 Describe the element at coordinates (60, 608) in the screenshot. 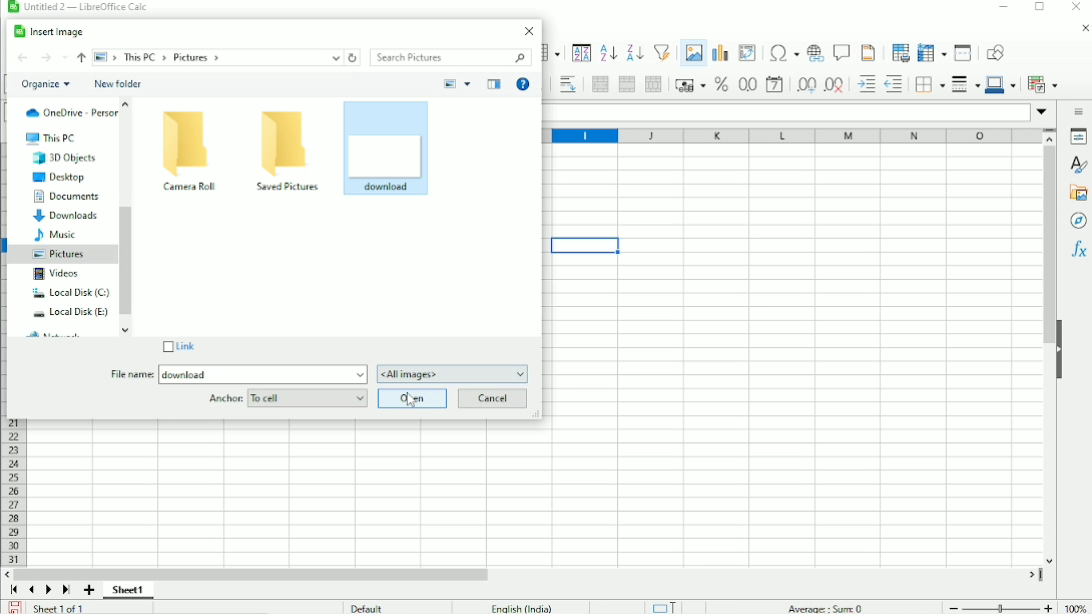

I see `Sheet 1 of 1` at that location.